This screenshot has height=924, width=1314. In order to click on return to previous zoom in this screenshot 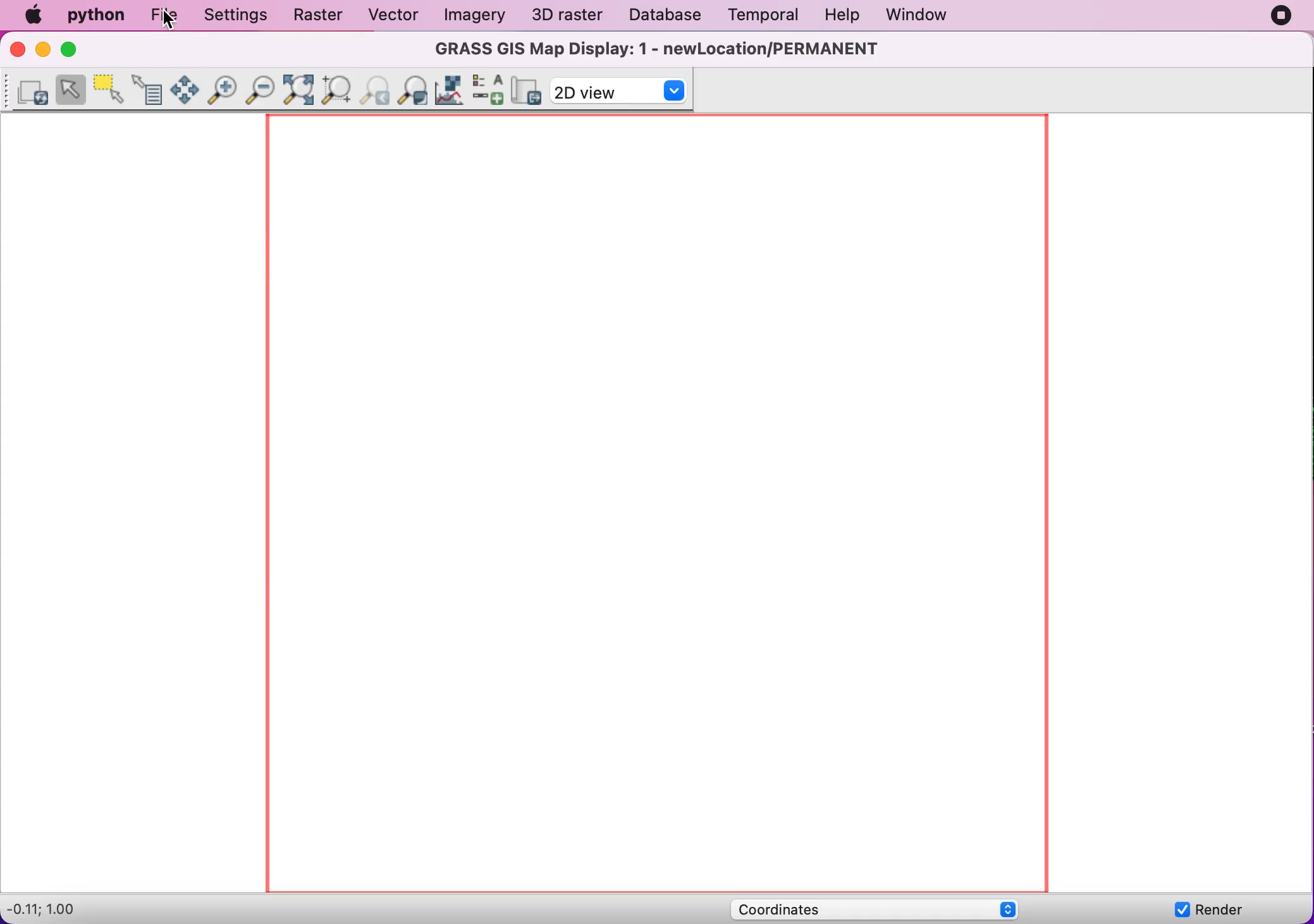, I will do `click(377, 92)`.